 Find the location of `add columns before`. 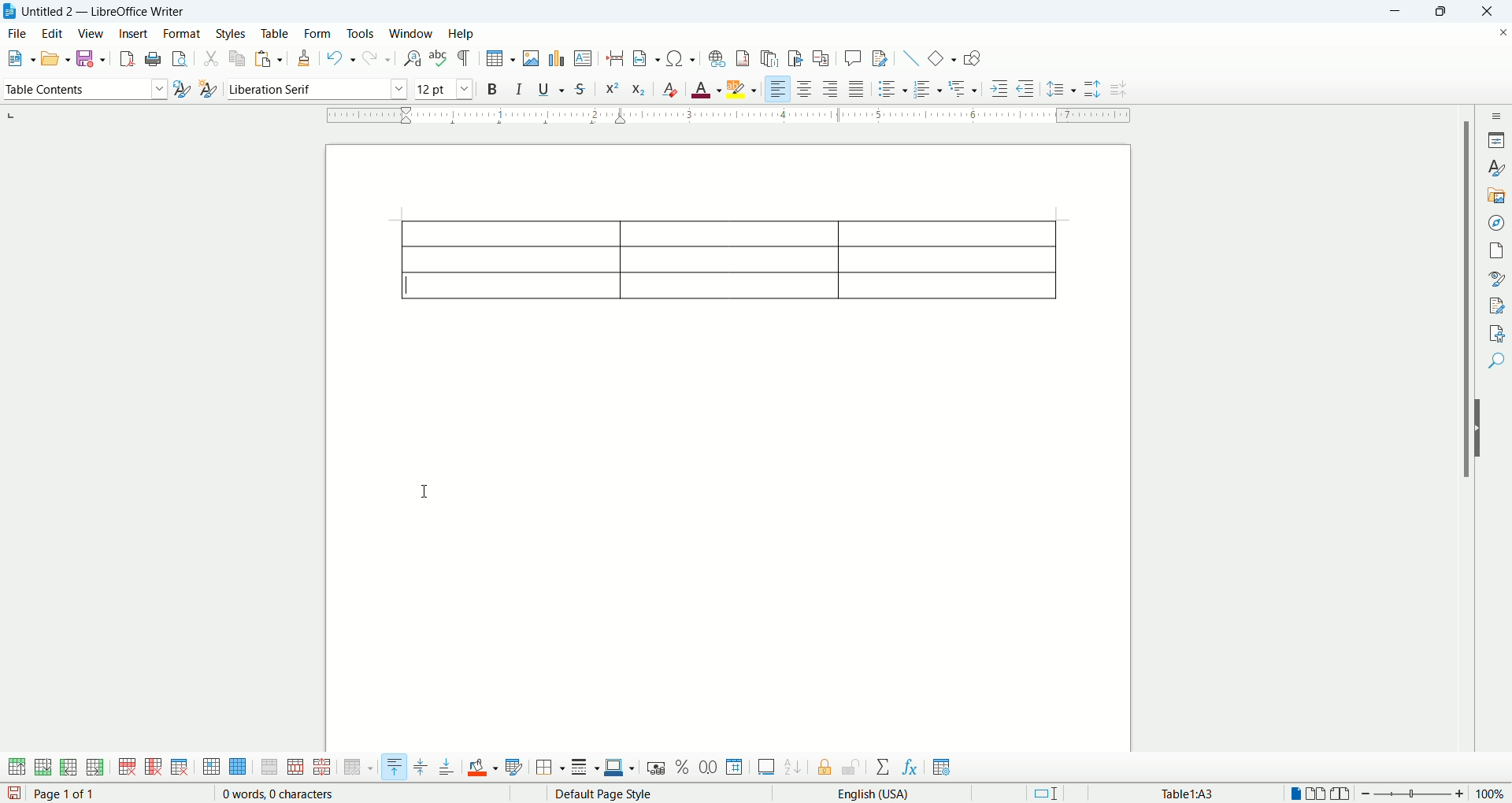

add columns before is located at coordinates (69, 768).